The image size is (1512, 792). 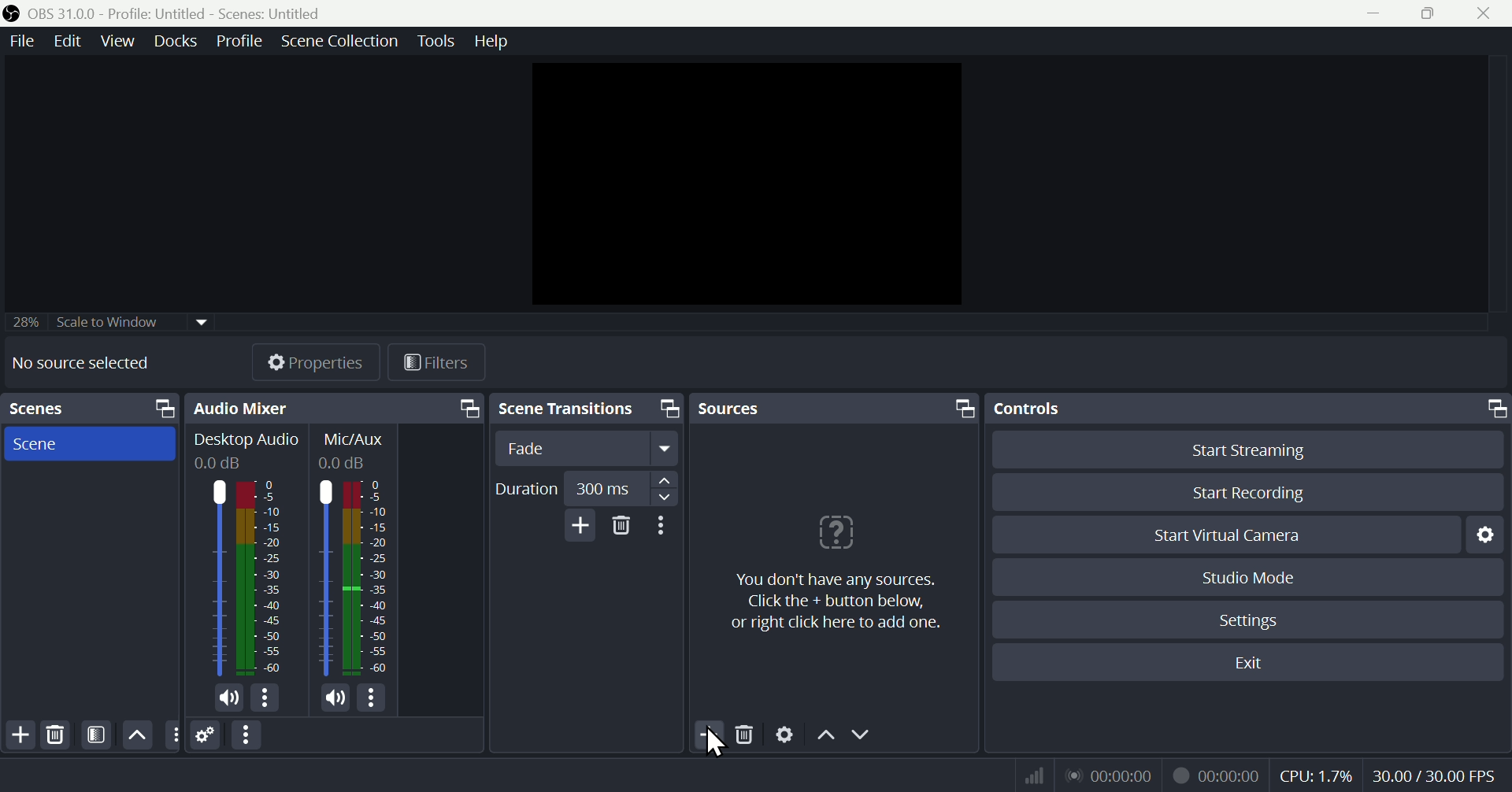 What do you see at coordinates (120, 41) in the screenshot?
I see `View` at bounding box center [120, 41].